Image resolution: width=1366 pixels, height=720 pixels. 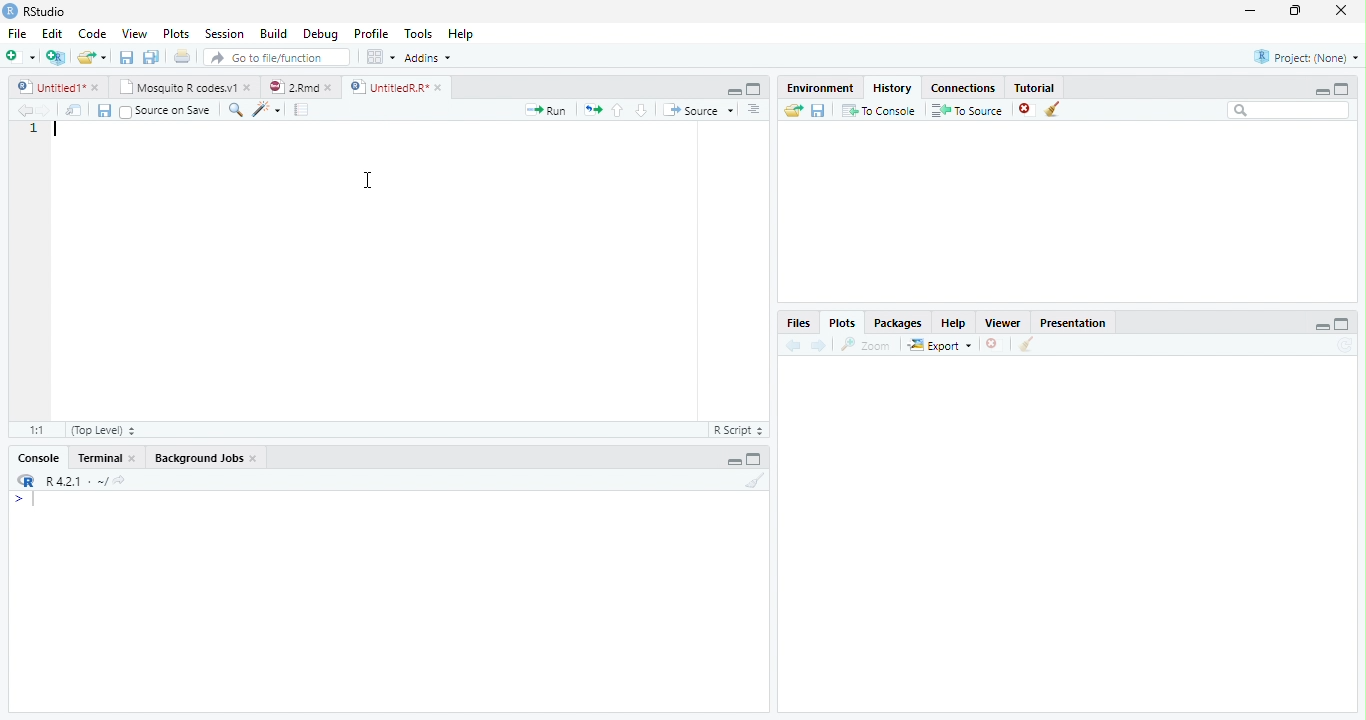 I want to click on R Script, so click(x=739, y=431).